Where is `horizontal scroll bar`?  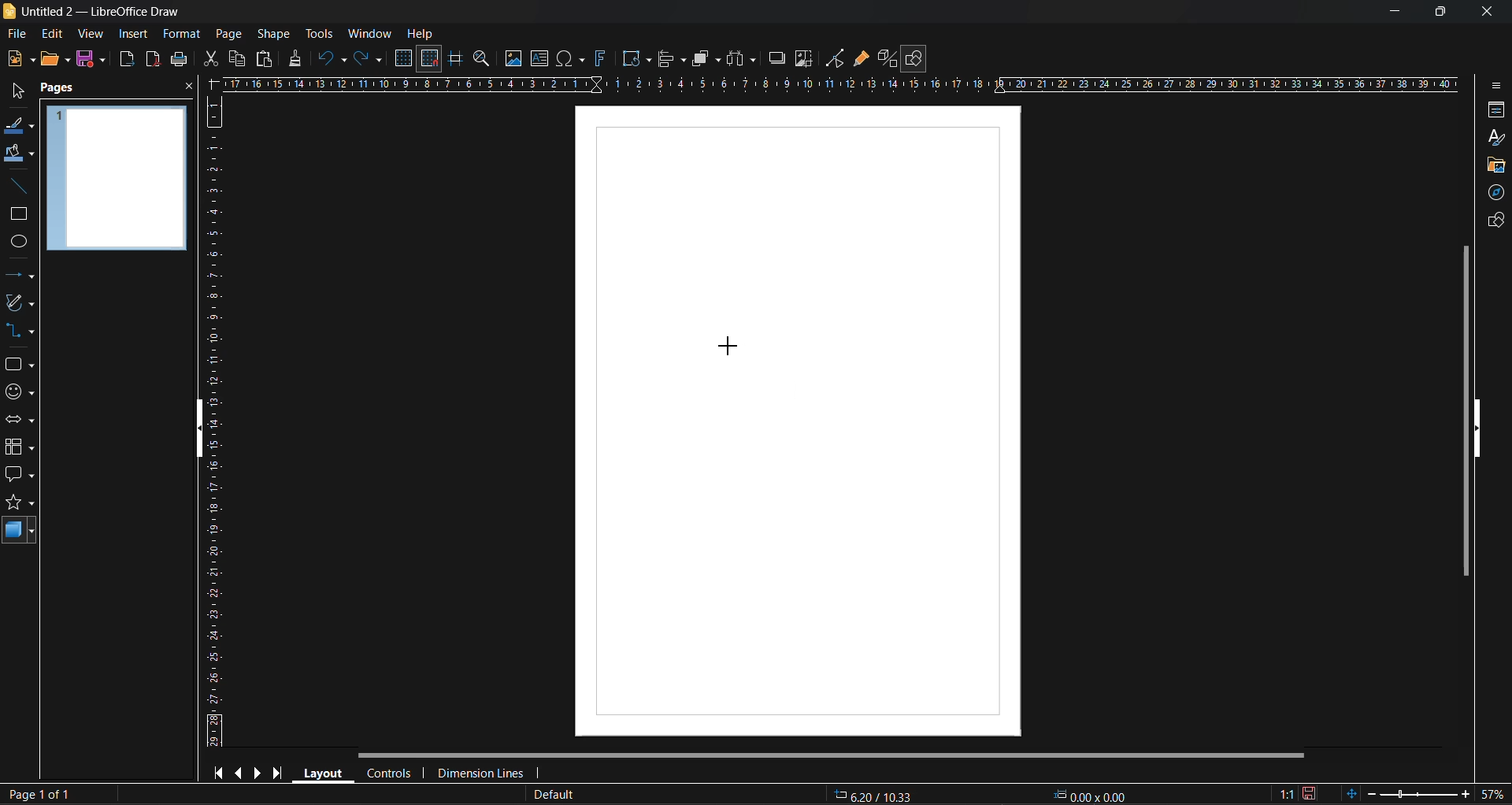 horizontal scroll bar is located at coordinates (836, 755).